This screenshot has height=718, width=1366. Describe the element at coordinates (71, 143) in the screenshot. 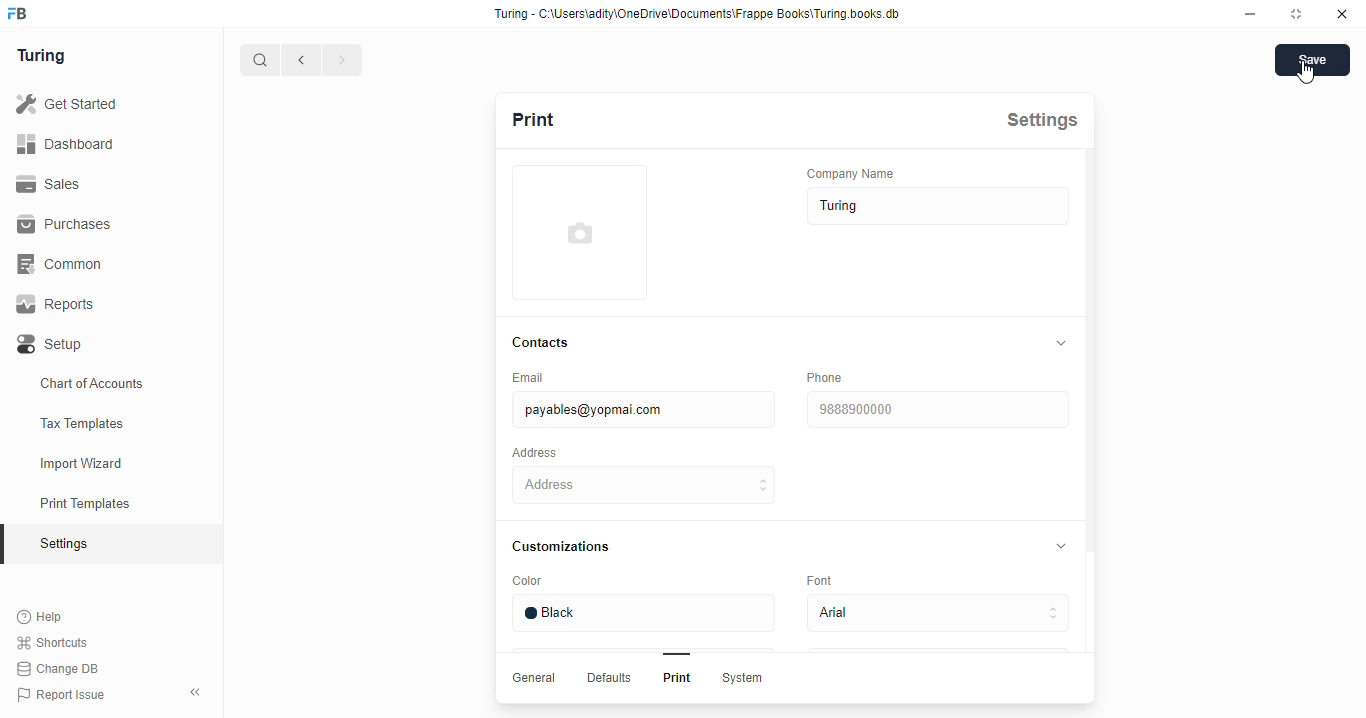

I see `Dashboard` at that location.